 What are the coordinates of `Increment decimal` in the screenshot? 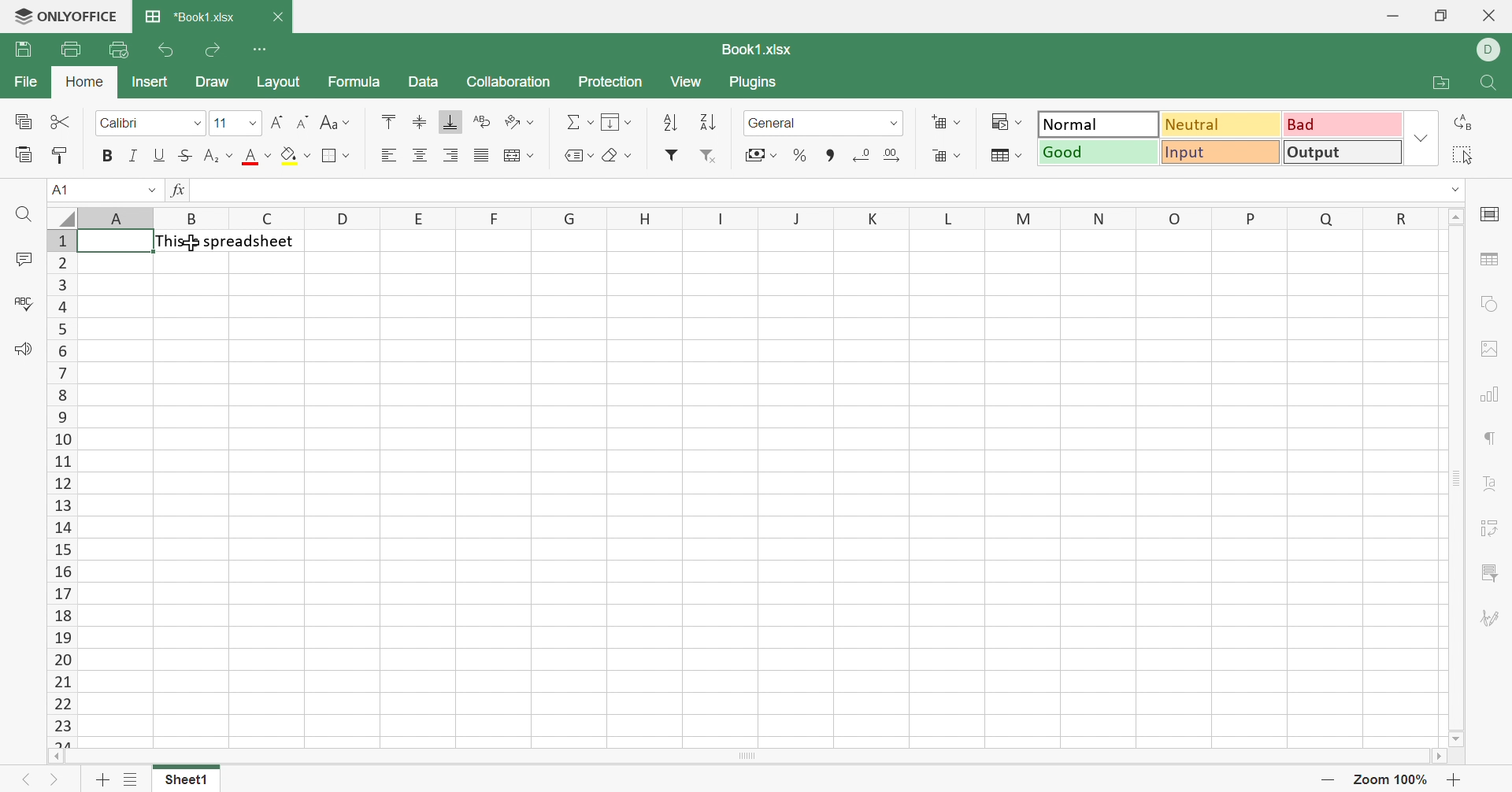 It's located at (892, 154).